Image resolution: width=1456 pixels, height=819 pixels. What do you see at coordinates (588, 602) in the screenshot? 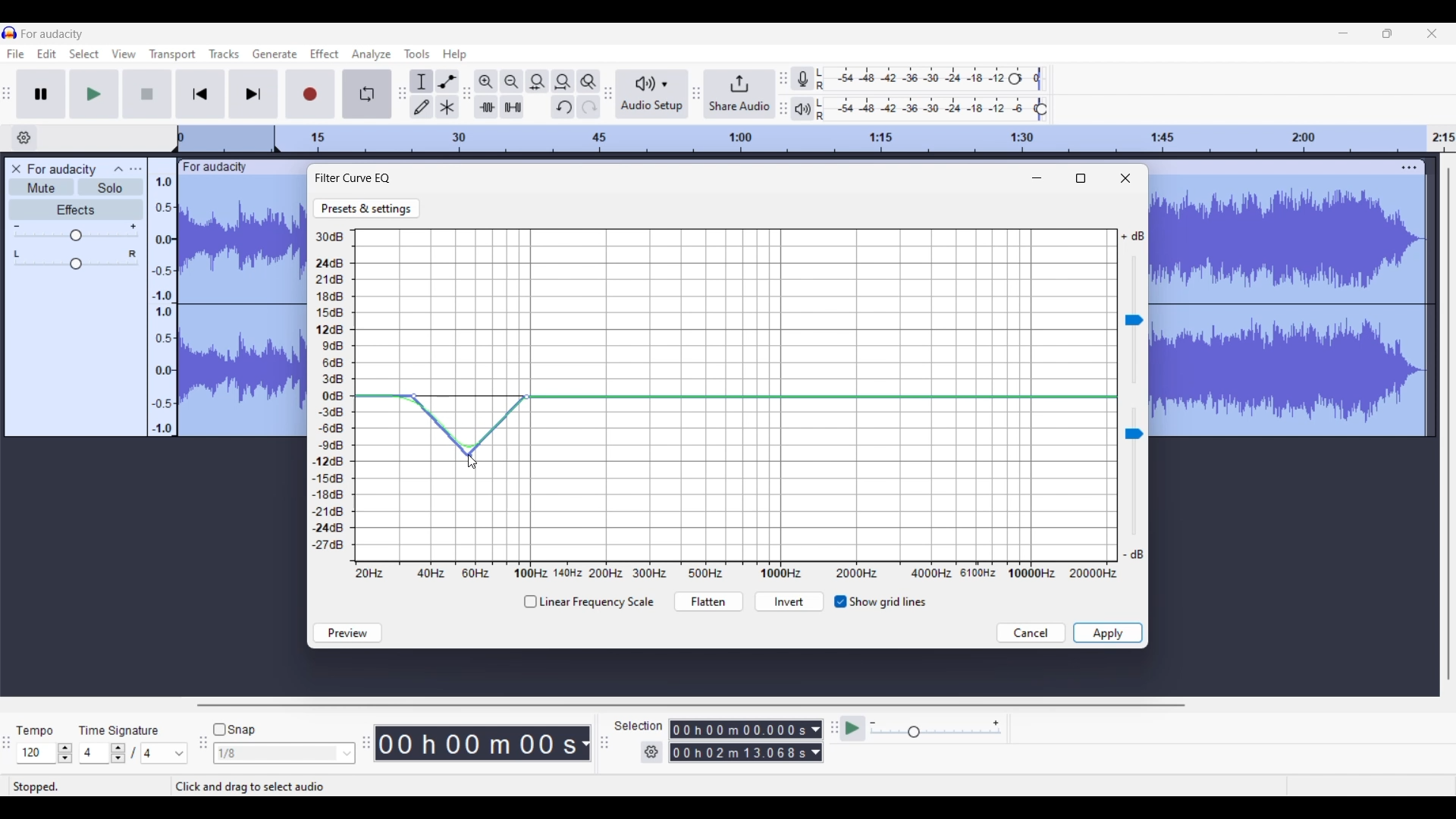
I see `Toggle for linear frequency scale` at bounding box center [588, 602].